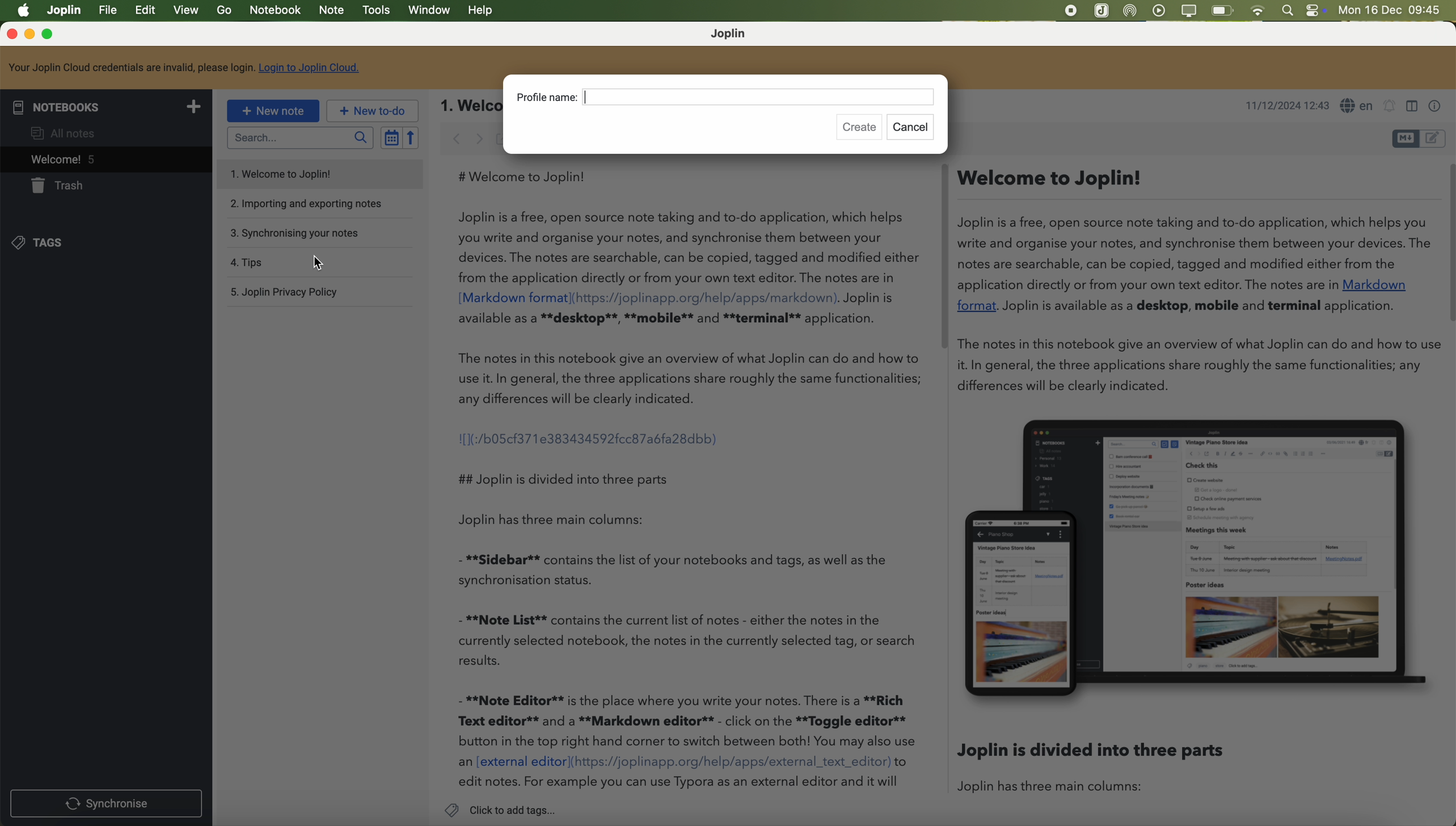 The width and height of the screenshot is (1456, 826). Describe the element at coordinates (689, 640) in the screenshot. I see `- **Note List** contains the current list of notes - either the notes in the
currently selected notebook, the notes in the currently selected tag, or search
results.` at that location.